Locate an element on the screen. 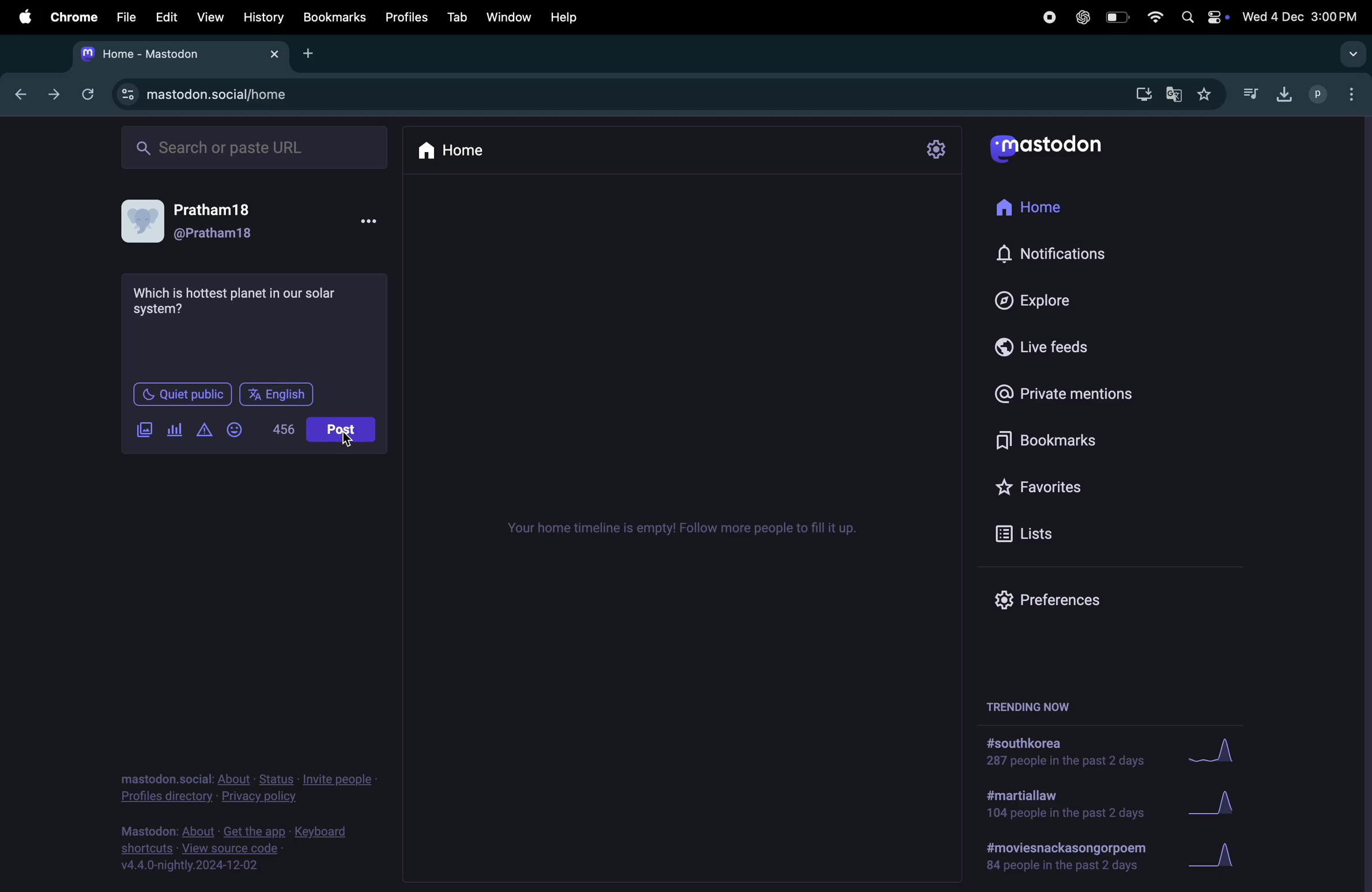 The height and width of the screenshot is (892, 1372). window is located at coordinates (507, 16).